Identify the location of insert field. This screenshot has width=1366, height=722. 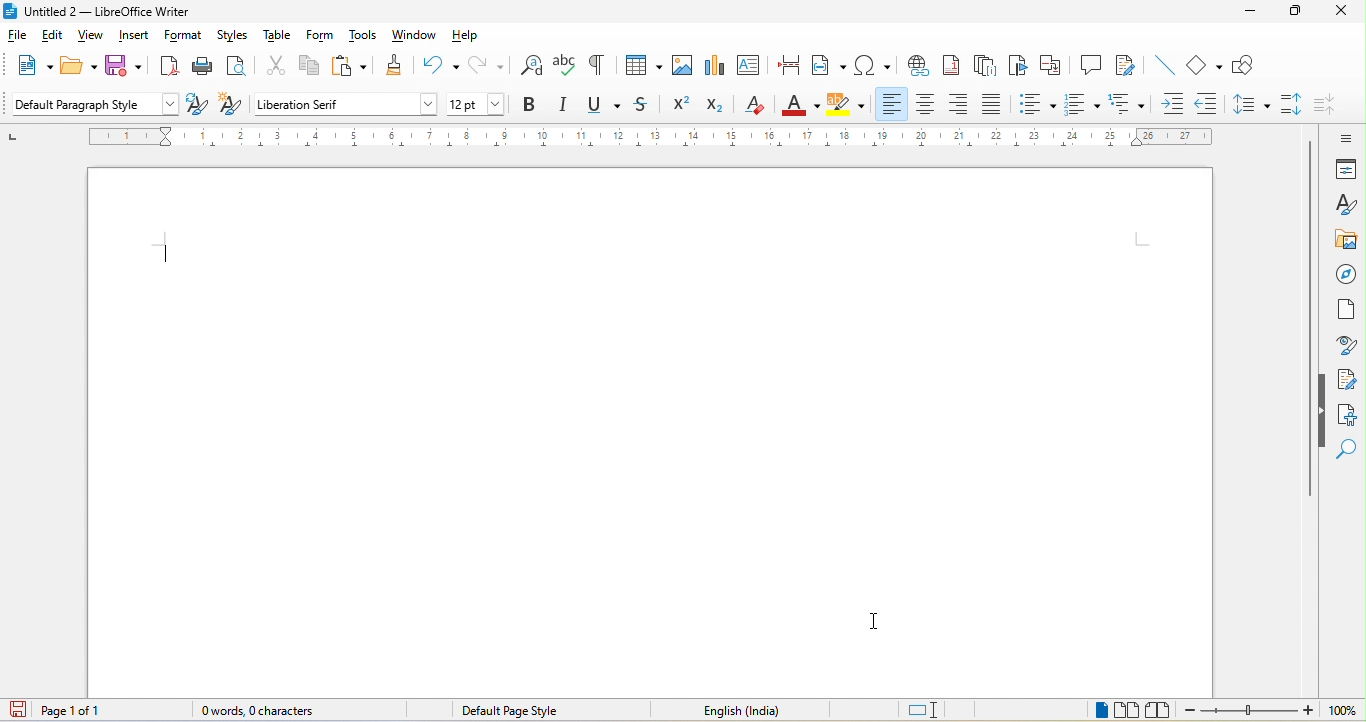
(828, 66).